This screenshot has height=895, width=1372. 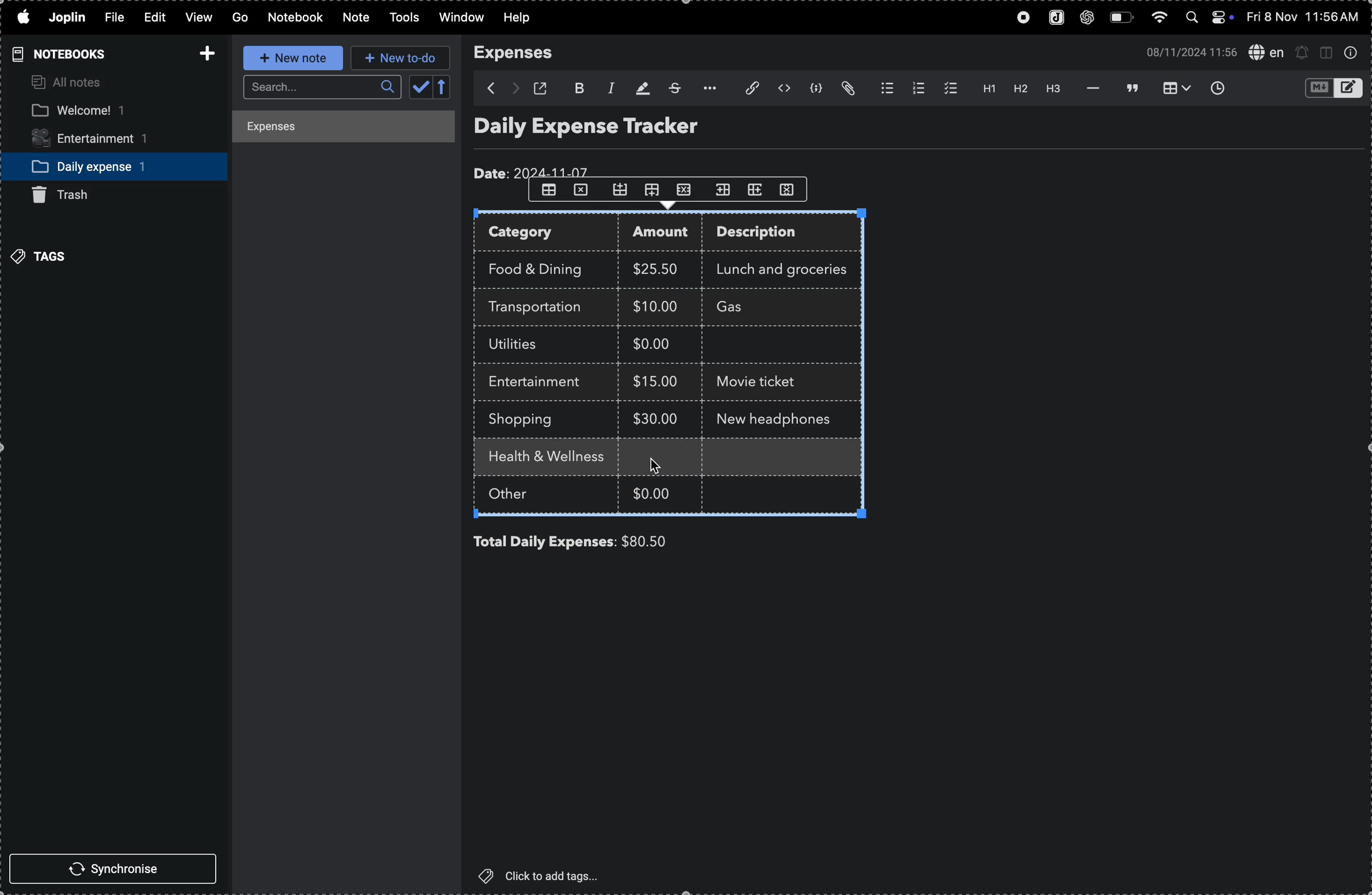 What do you see at coordinates (655, 306) in the screenshot?
I see `$10.00` at bounding box center [655, 306].